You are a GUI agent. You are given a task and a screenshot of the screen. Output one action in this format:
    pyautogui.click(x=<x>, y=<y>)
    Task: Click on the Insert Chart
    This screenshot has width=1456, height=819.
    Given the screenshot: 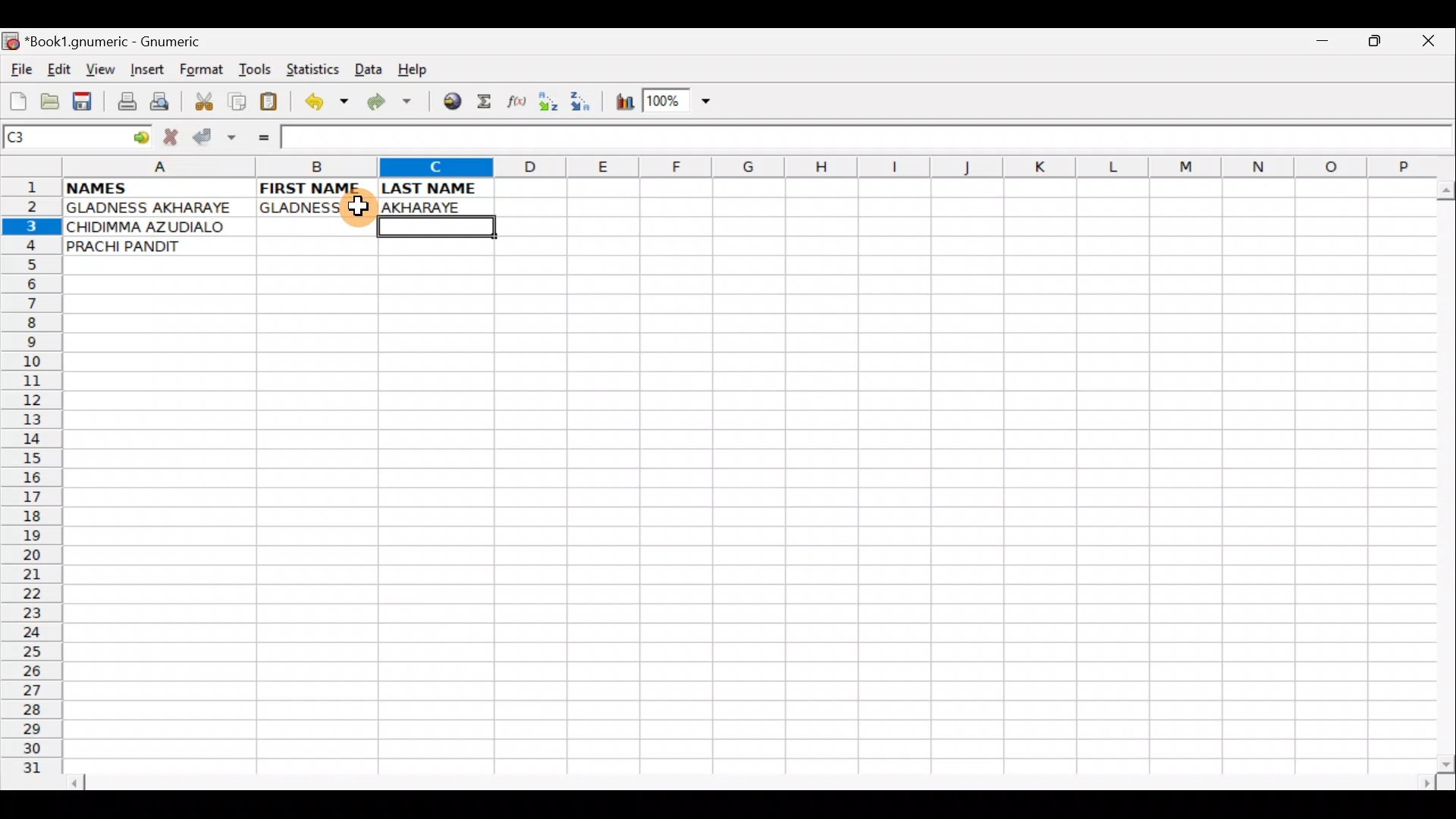 What is the action you would take?
    pyautogui.click(x=620, y=104)
    